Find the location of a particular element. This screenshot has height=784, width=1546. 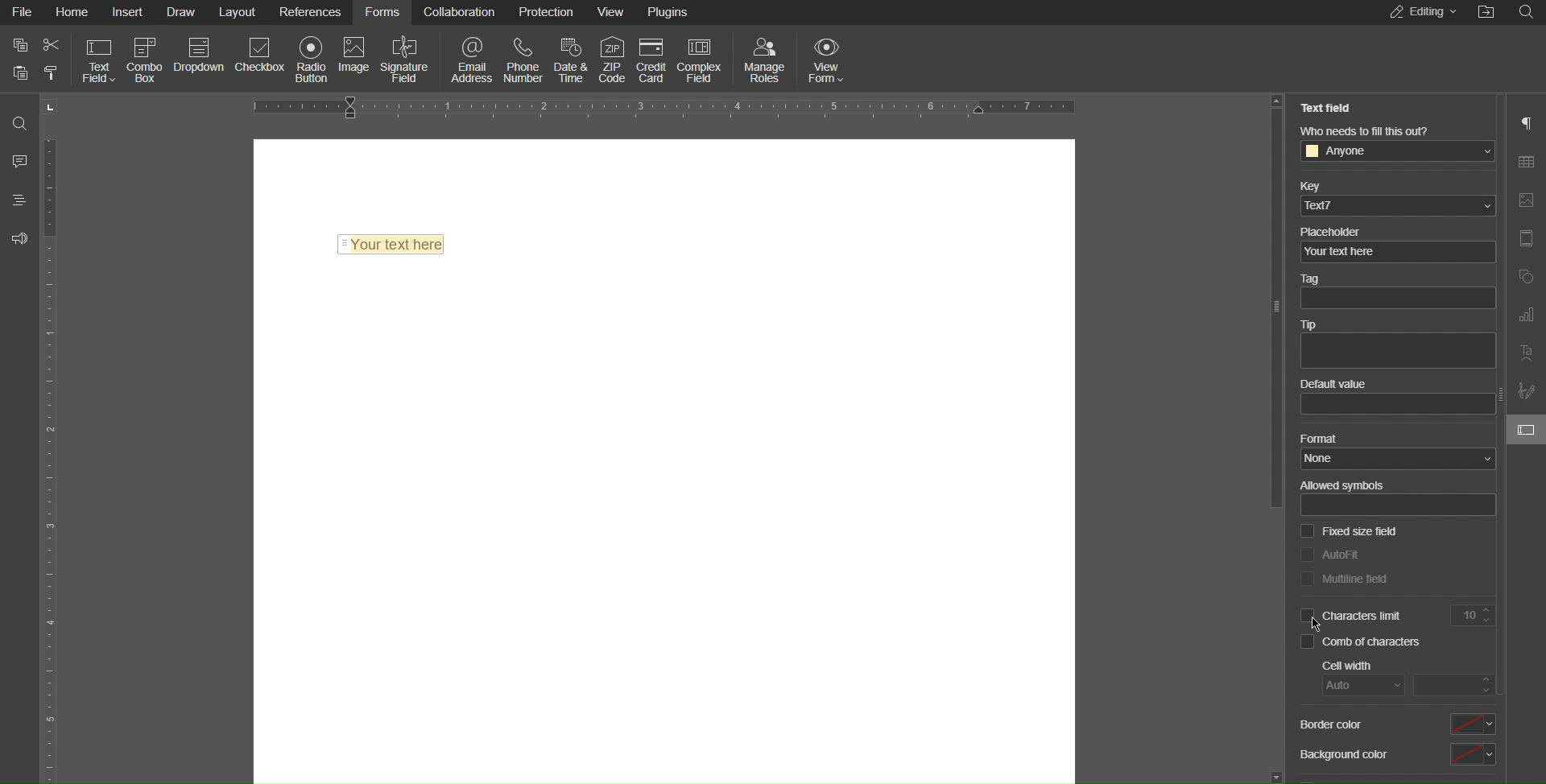

AutoFit is located at coordinates (1329, 553).